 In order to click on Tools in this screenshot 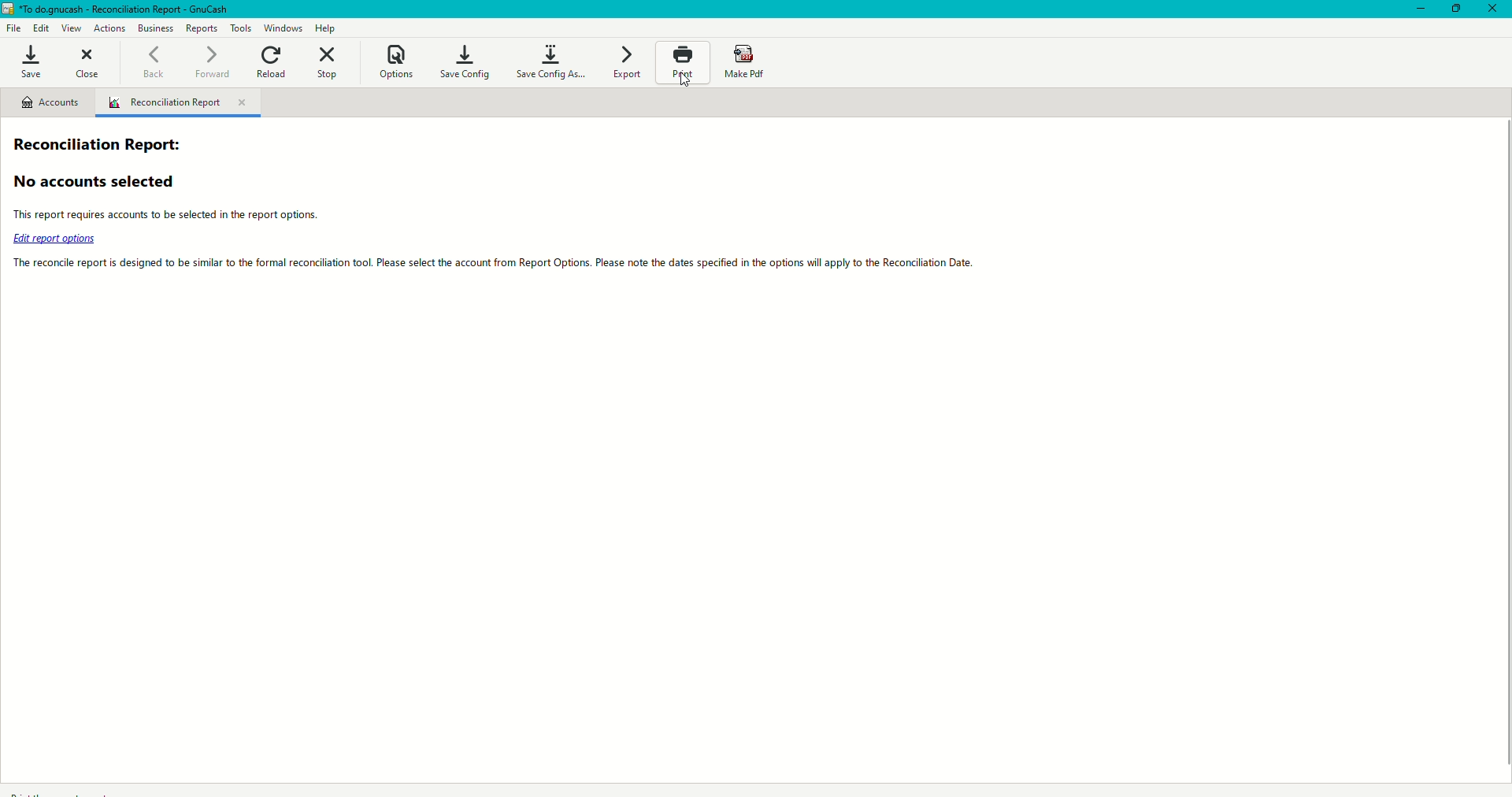, I will do `click(243, 30)`.